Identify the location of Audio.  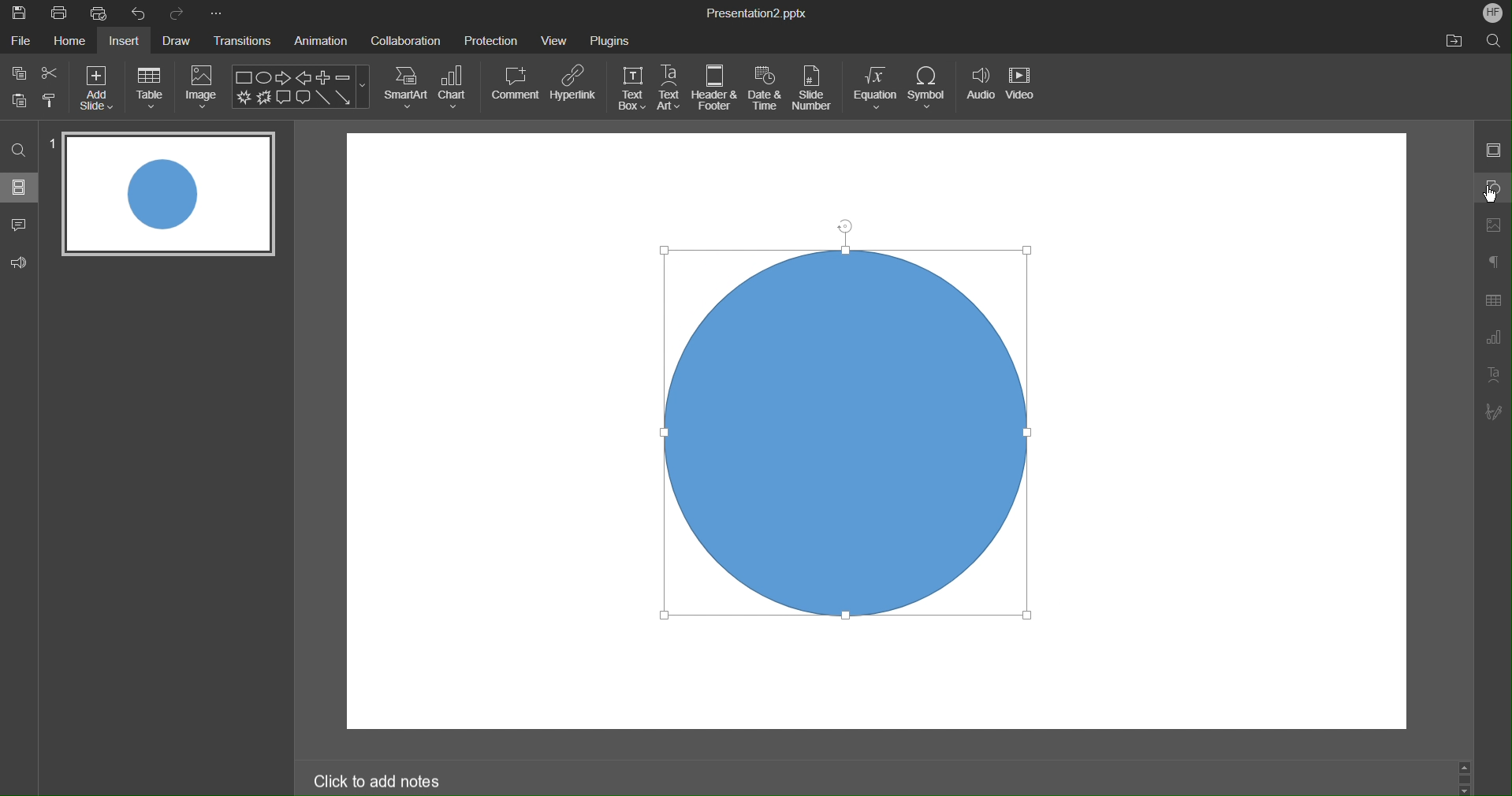
(979, 90).